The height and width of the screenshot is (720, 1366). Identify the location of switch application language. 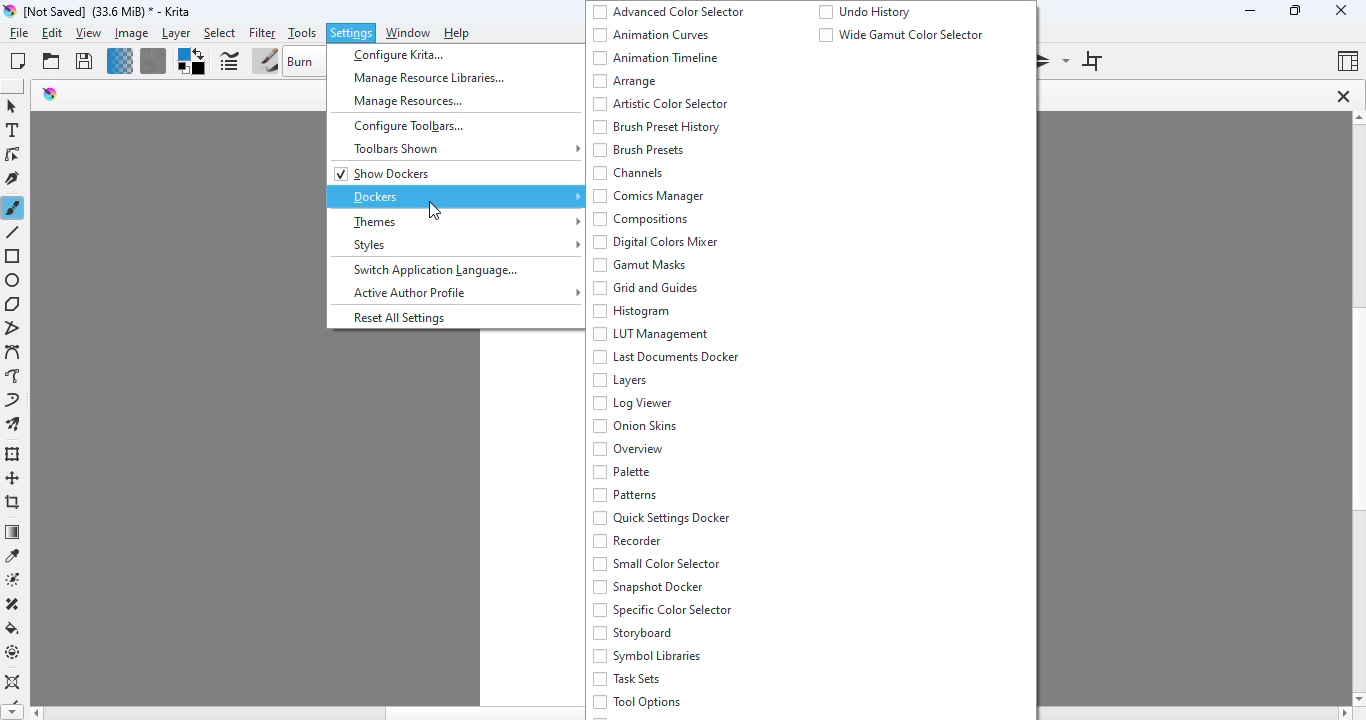
(434, 270).